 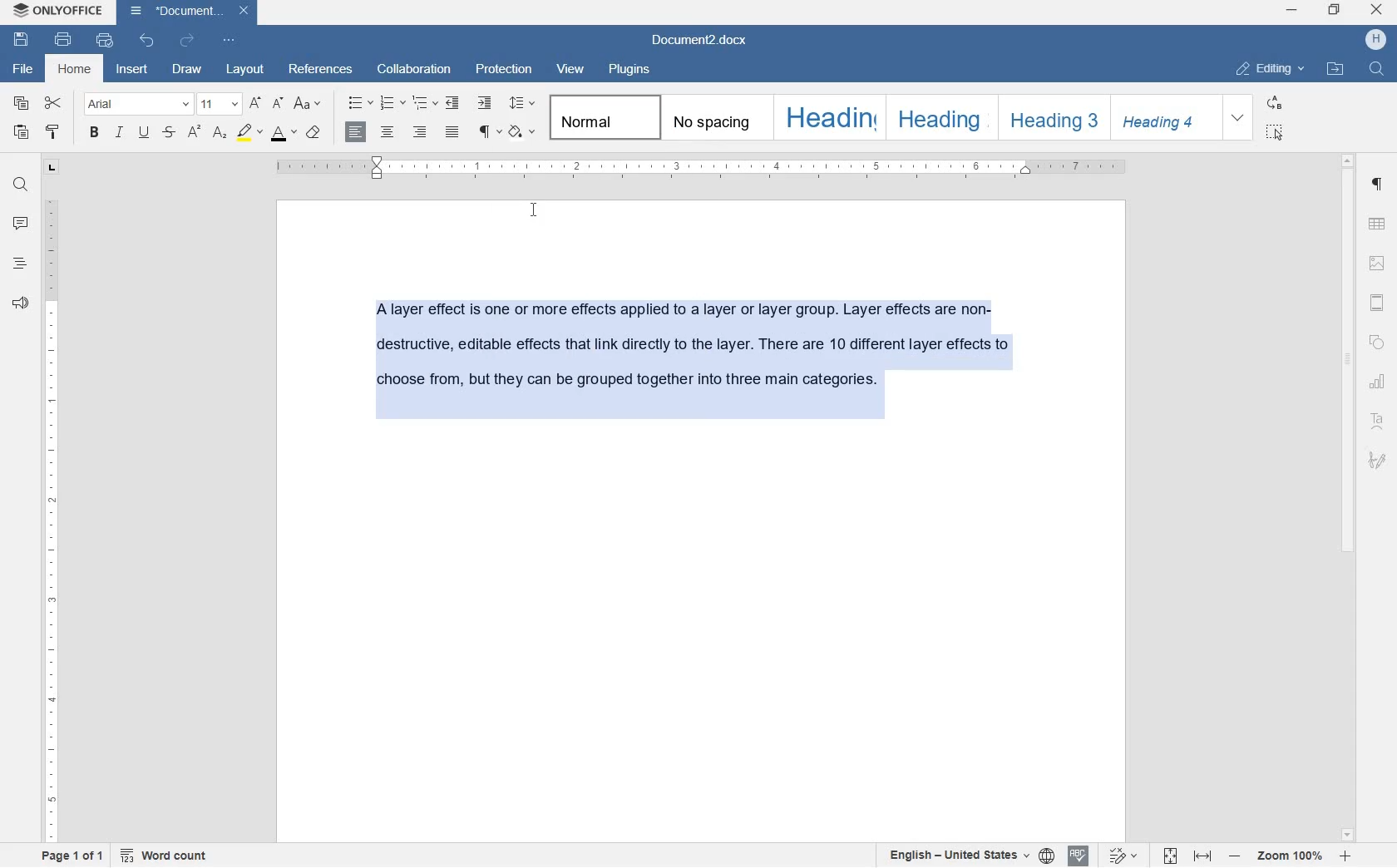 What do you see at coordinates (21, 102) in the screenshot?
I see `copy` at bounding box center [21, 102].